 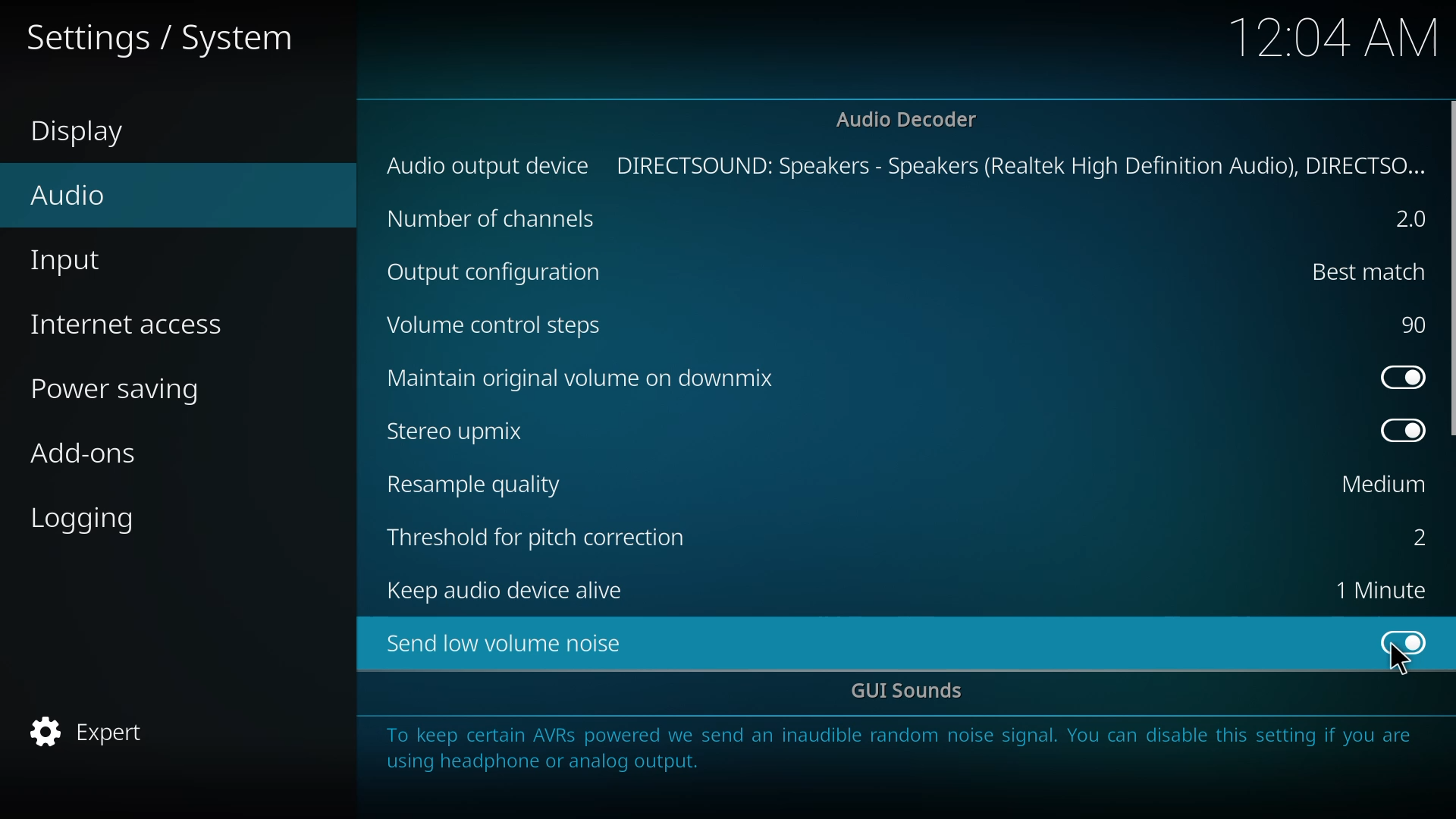 I want to click on power saving, so click(x=125, y=388).